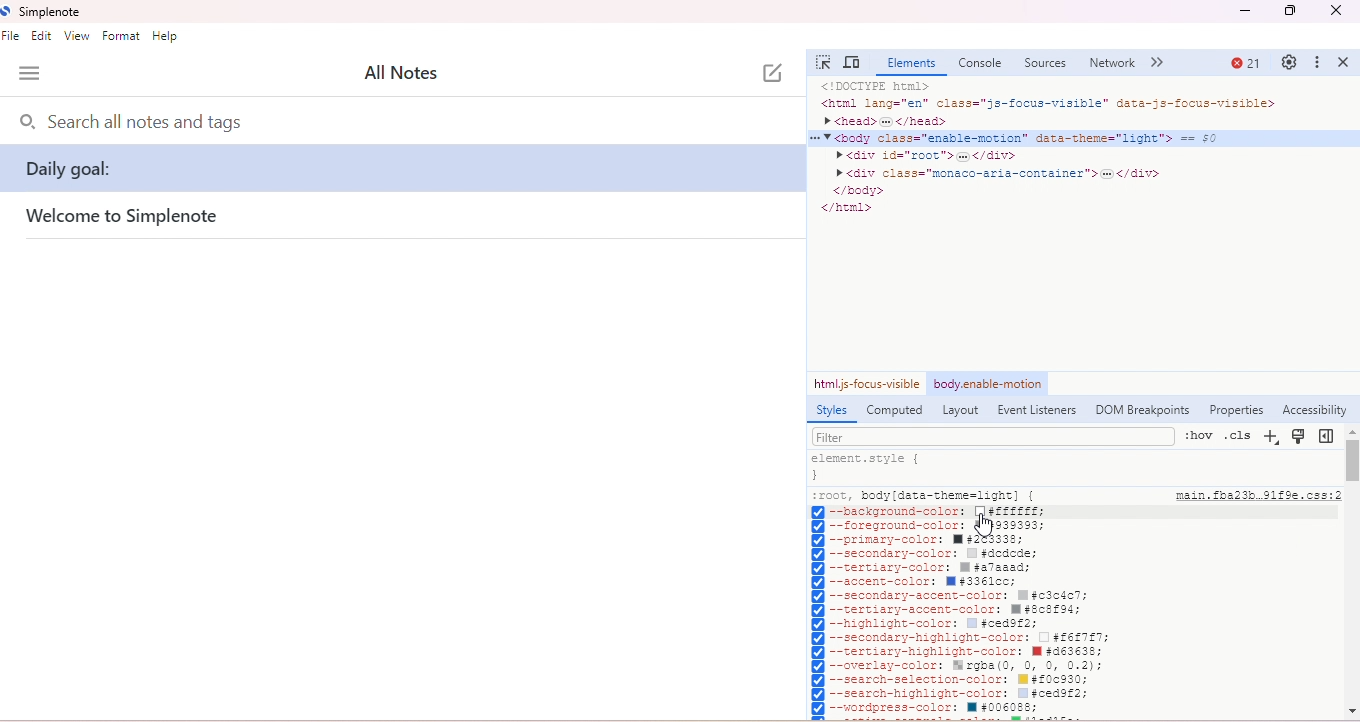 The width and height of the screenshot is (1360, 722). What do you see at coordinates (908, 65) in the screenshot?
I see `element` at bounding box center [908, 65].